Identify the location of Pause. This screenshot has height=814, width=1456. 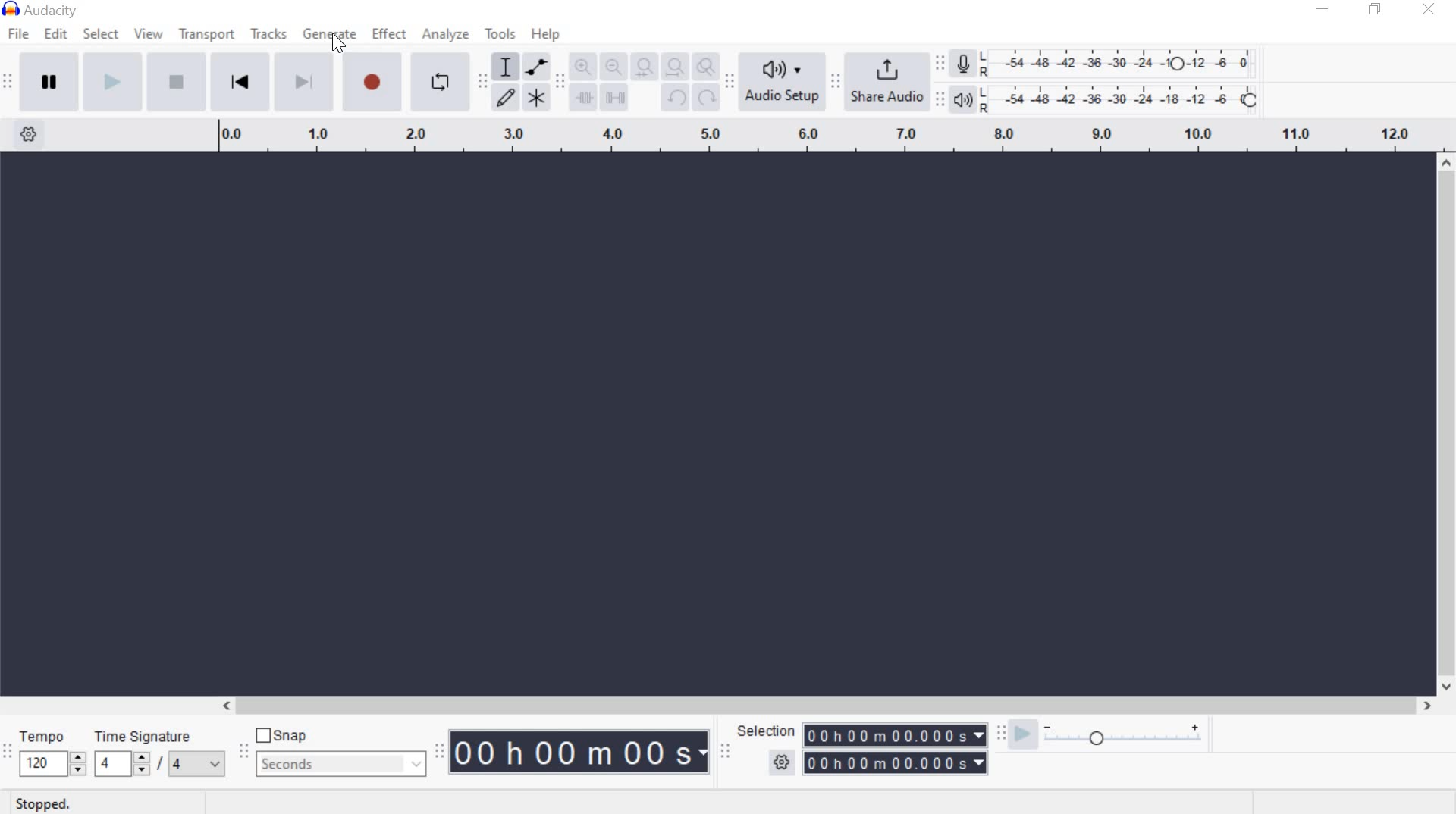
(49, 80).